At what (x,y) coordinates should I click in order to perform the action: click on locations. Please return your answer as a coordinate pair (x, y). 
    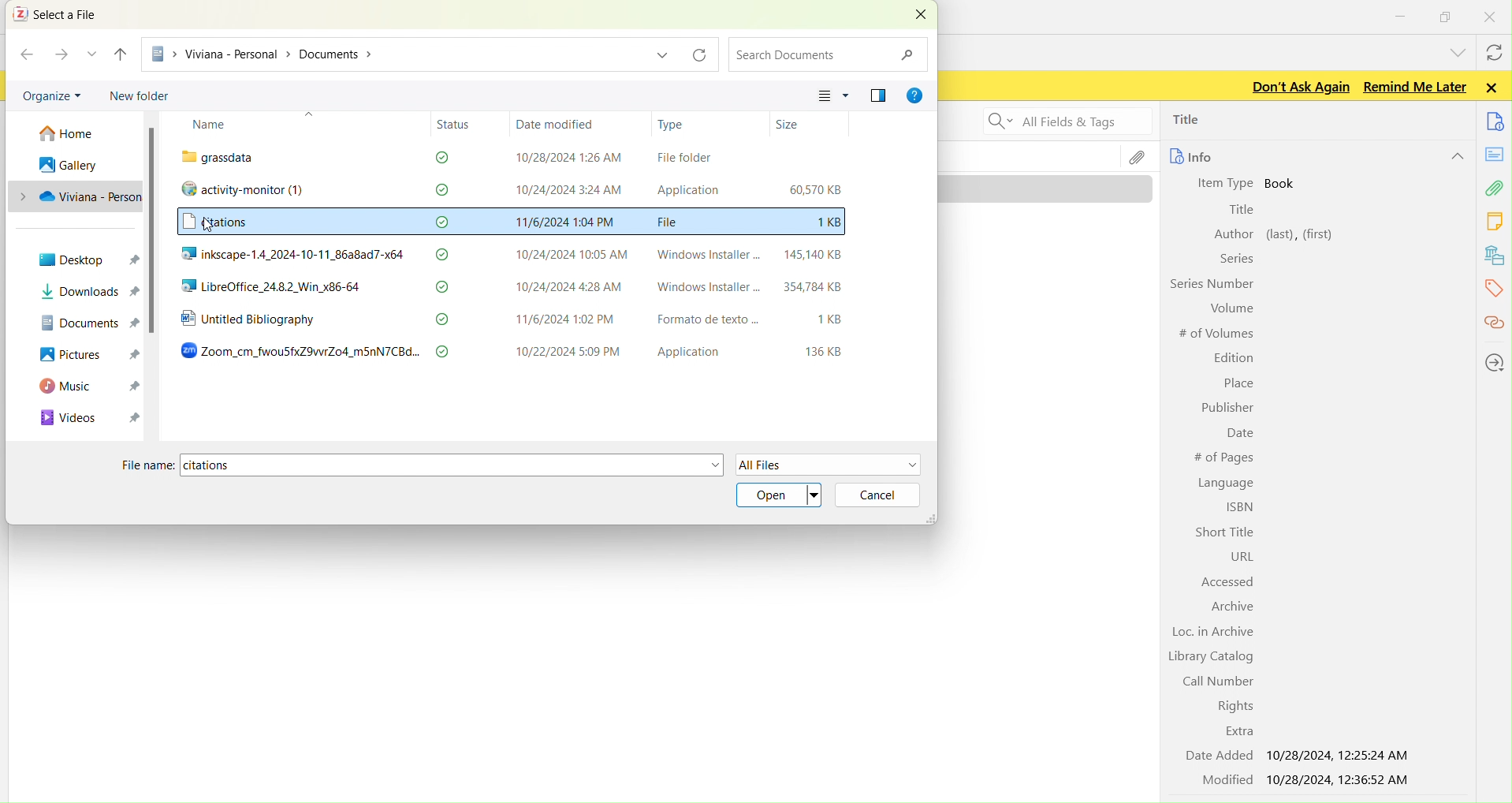
    Looking at the image, I should click on (1493, 364).